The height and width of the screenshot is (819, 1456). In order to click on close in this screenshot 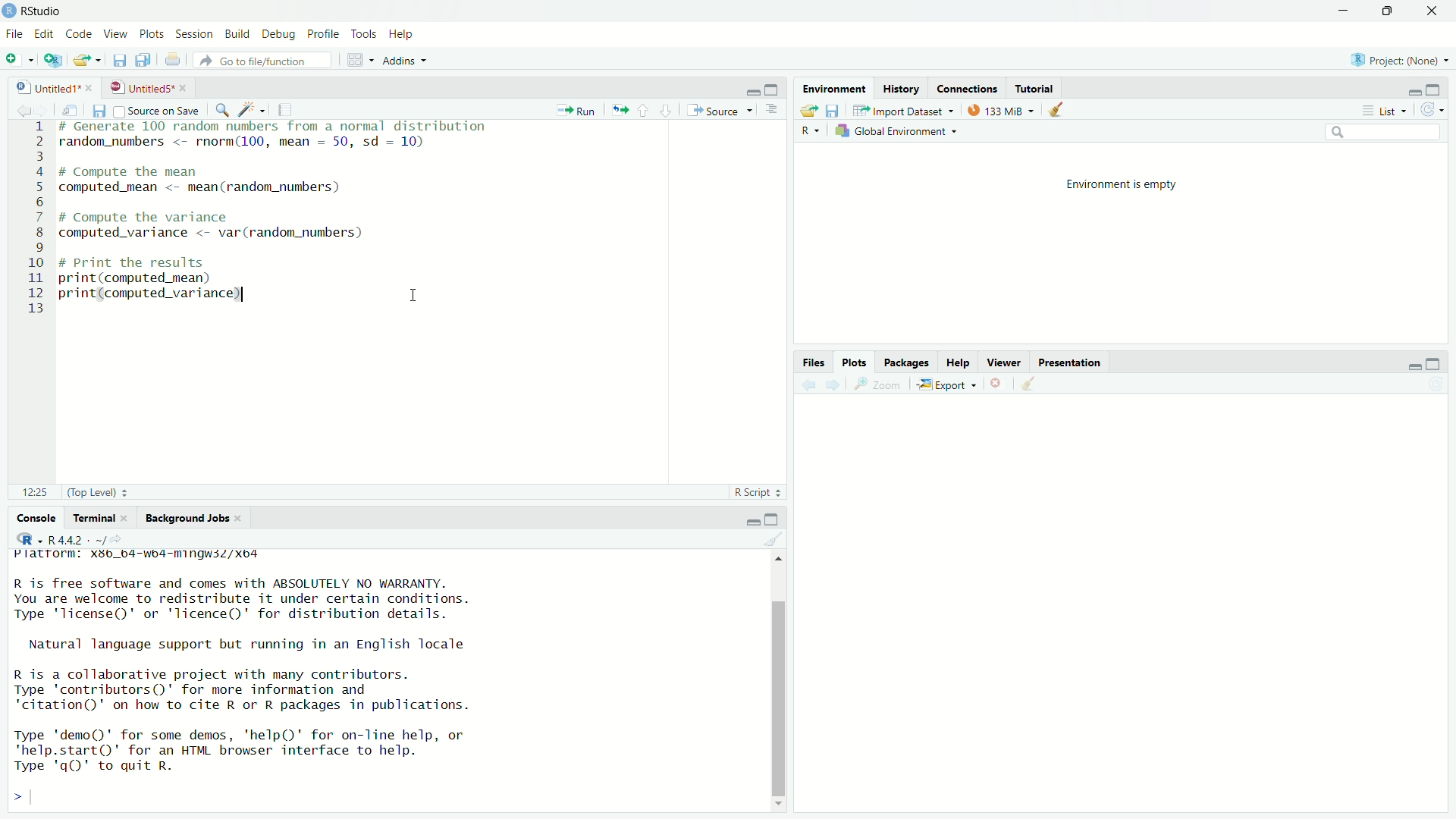, I will do `click(93, 86)`.